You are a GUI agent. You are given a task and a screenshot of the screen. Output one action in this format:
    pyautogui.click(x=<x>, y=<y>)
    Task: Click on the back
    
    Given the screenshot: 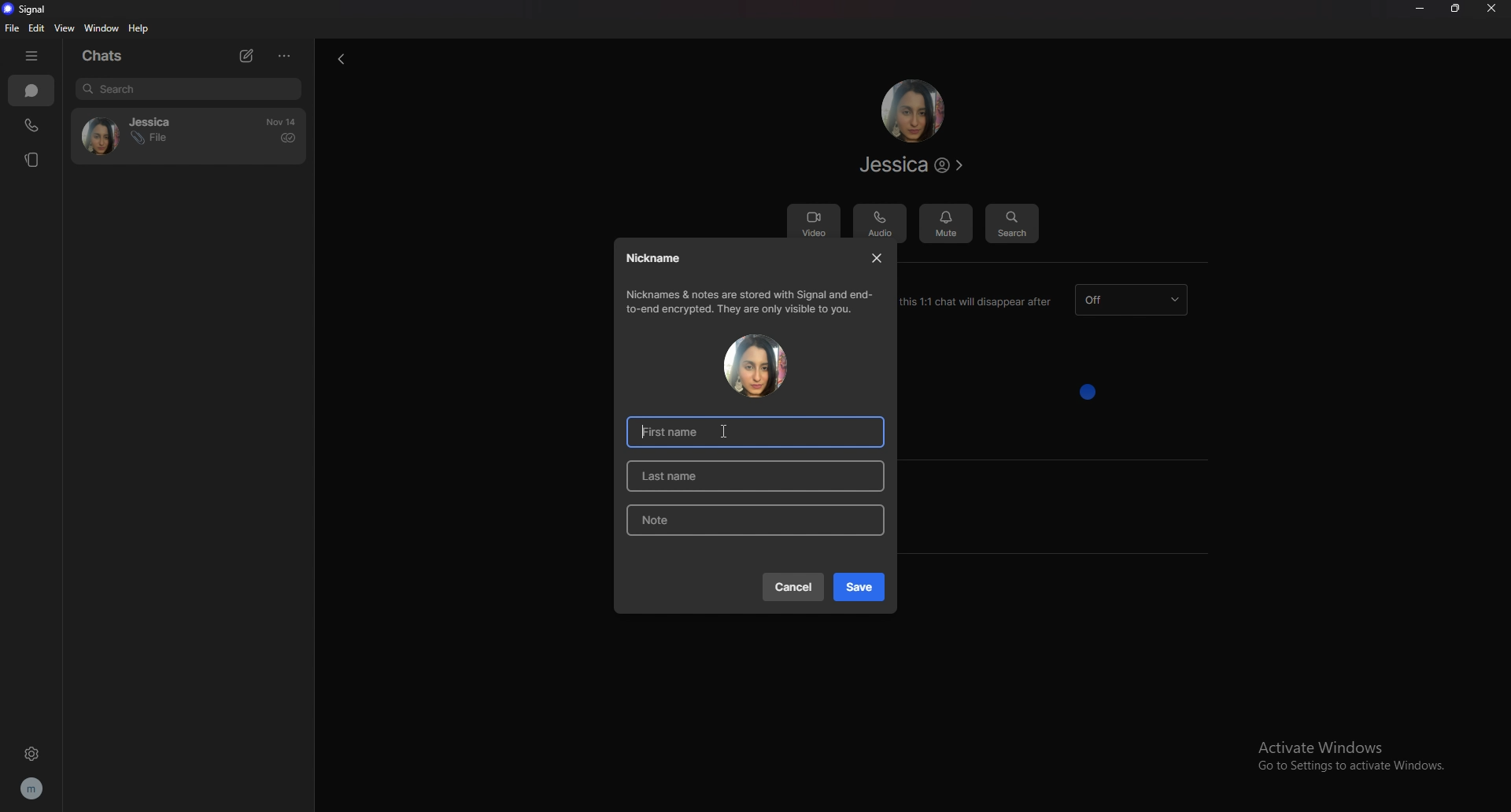 What is the action you would take?
    pyautogui.click(x=341, y=58)
    